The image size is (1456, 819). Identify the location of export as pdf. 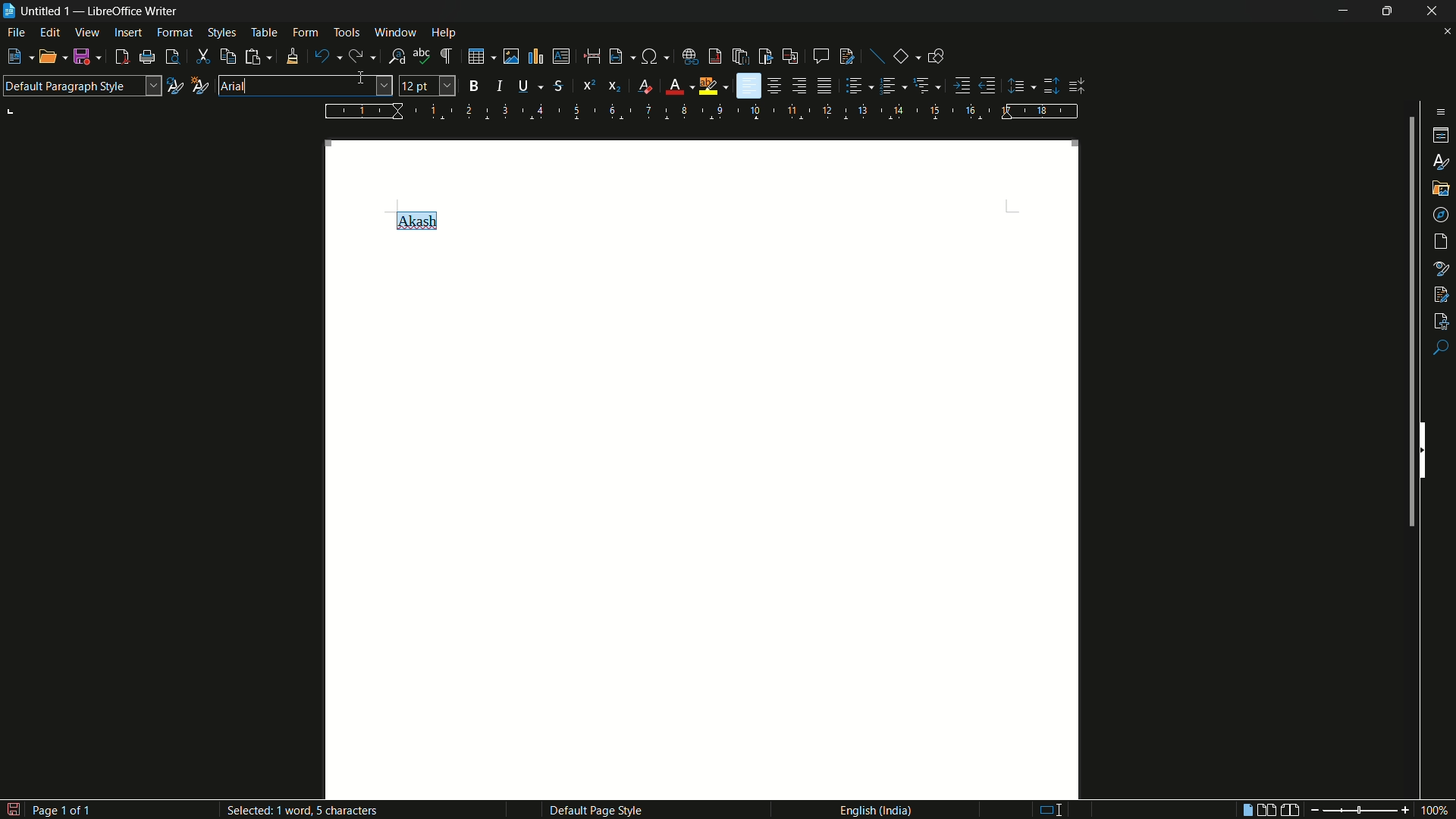
(121, 58).